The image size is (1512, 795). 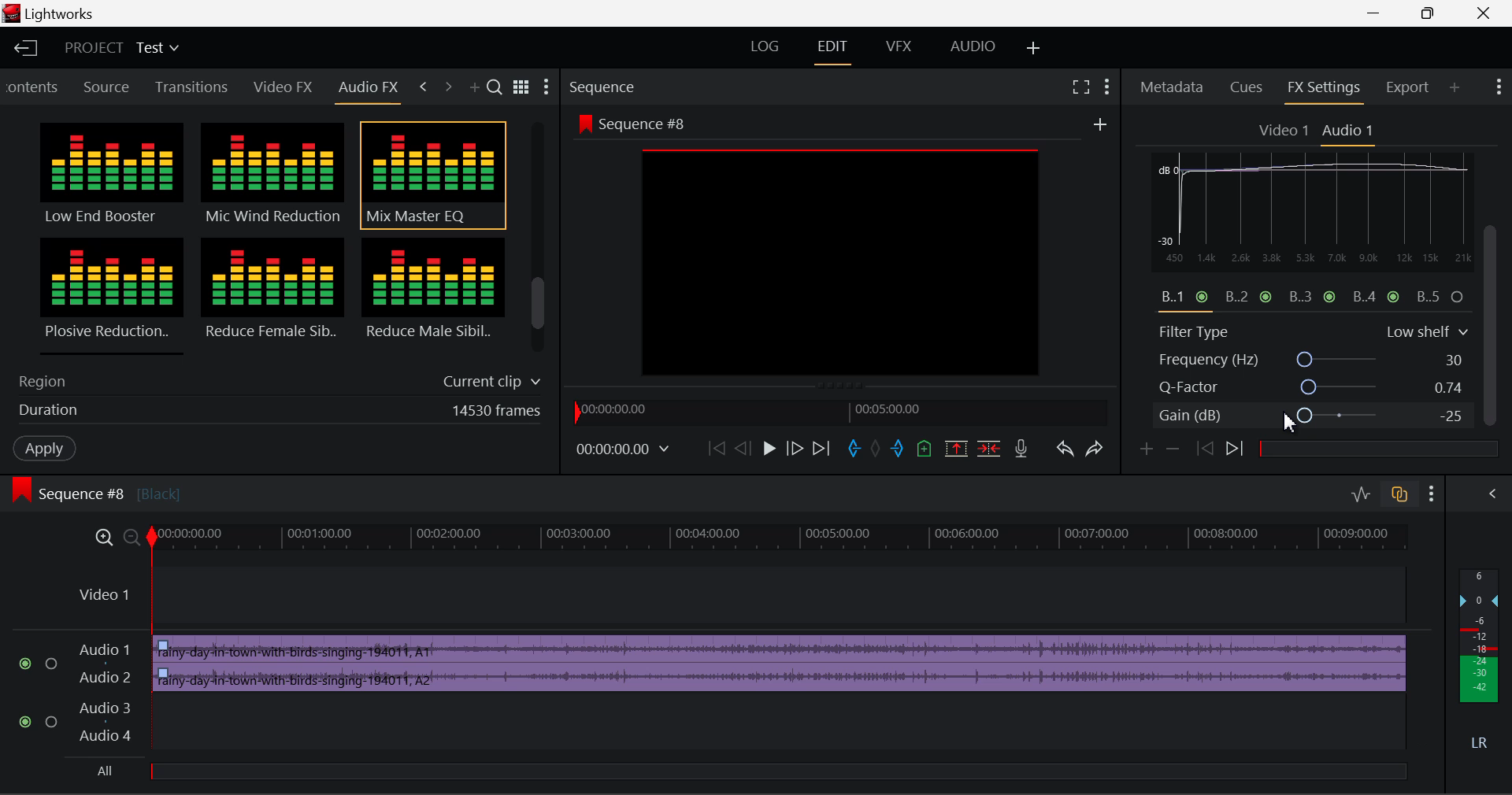 What do you see at coordinates (369, 87) in the screenshot?
I see `Audio FX ` at bounding box center [369, 87].